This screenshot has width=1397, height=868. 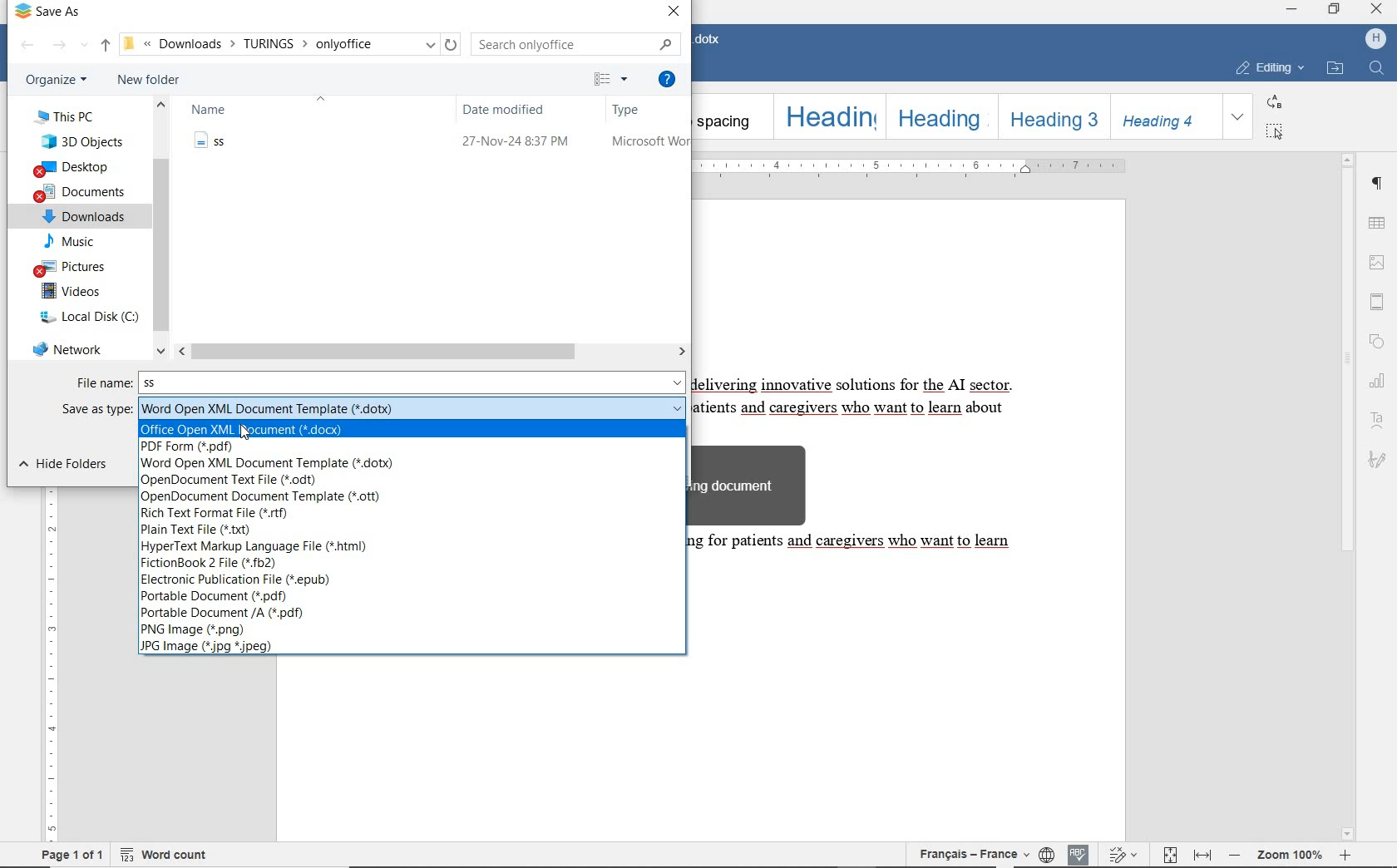 What do you see at coordinates (1378, 223) in the screenshot?
I see `TABLE` at bounding box center [1378, 223].